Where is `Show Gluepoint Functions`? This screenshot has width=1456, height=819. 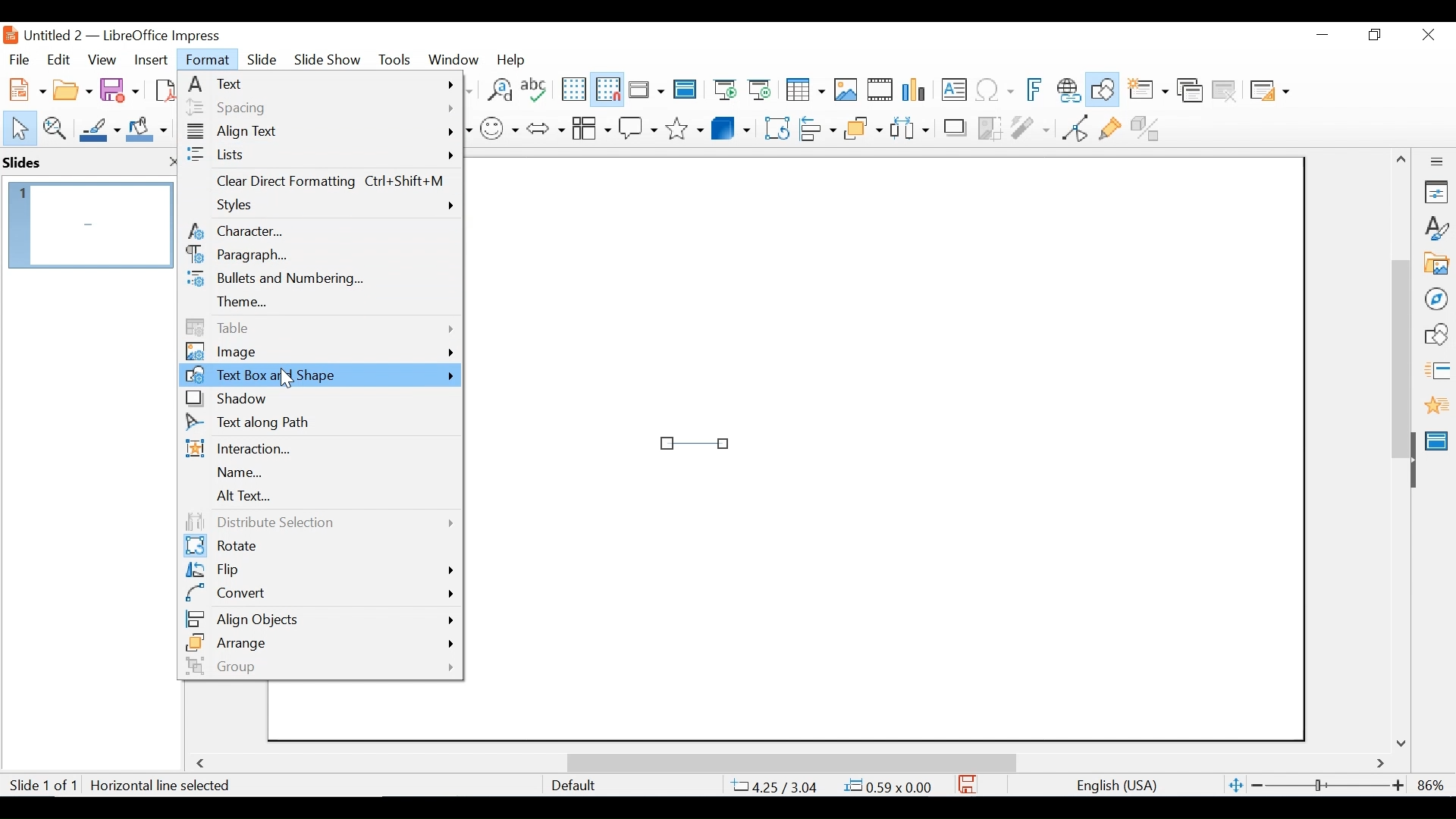 Show Gluepoint Functions is located at coordinates (1109, 127).